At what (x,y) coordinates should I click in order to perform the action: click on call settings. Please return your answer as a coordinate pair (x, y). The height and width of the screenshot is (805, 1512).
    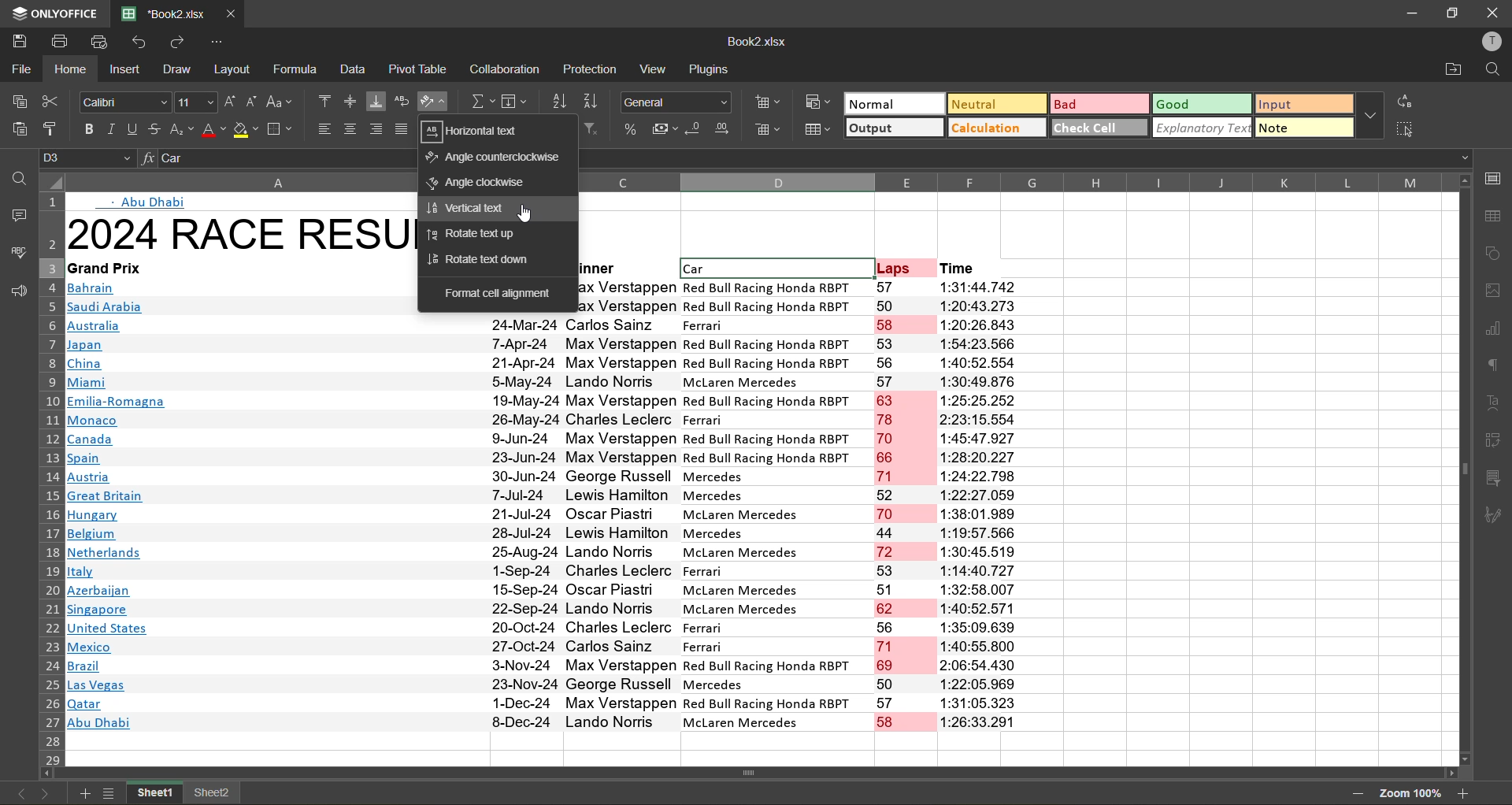
    Looking at the image, I should click on (1495, 180).